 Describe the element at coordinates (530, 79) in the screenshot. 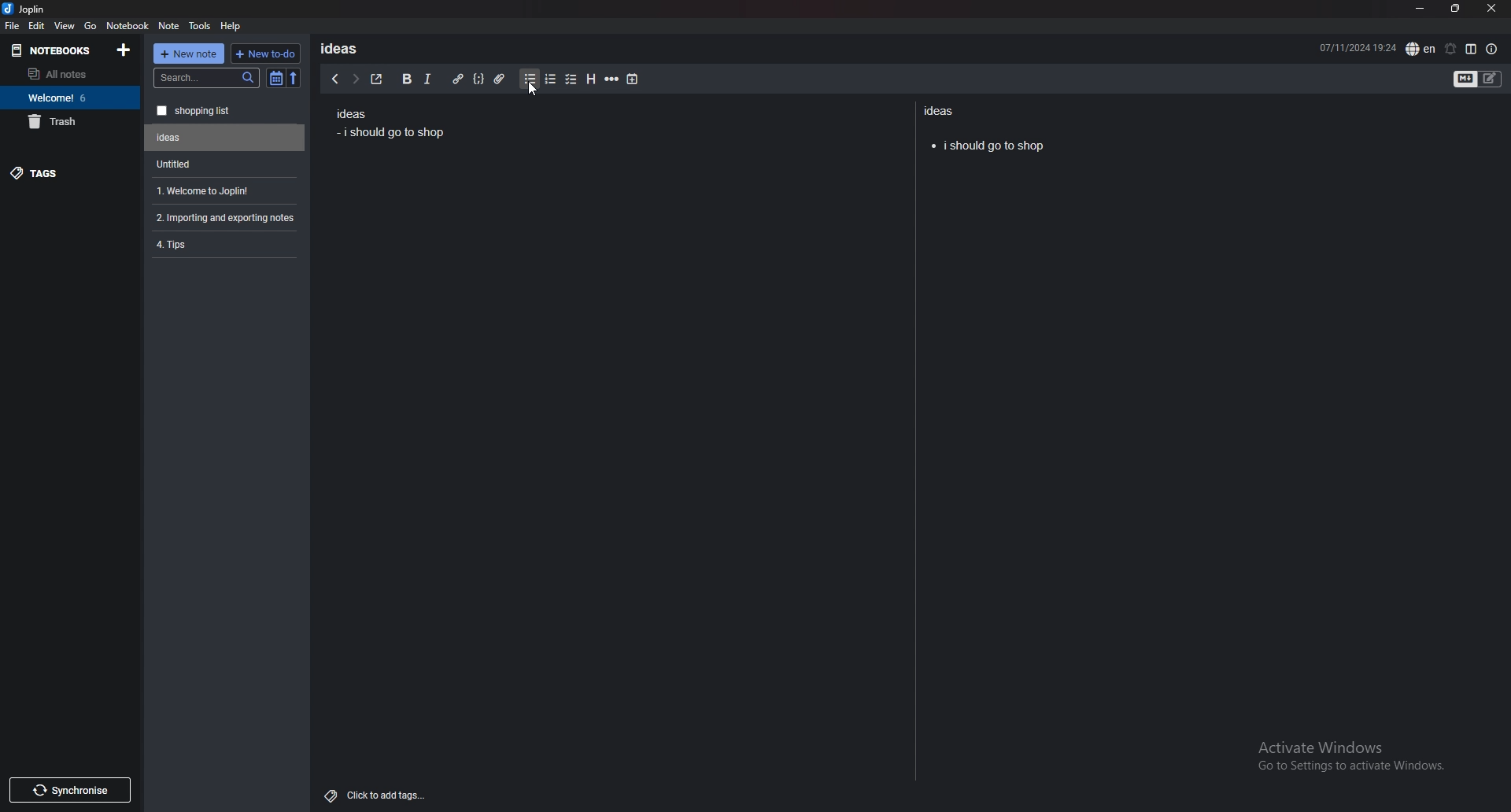

I see `bullet list` at that location.